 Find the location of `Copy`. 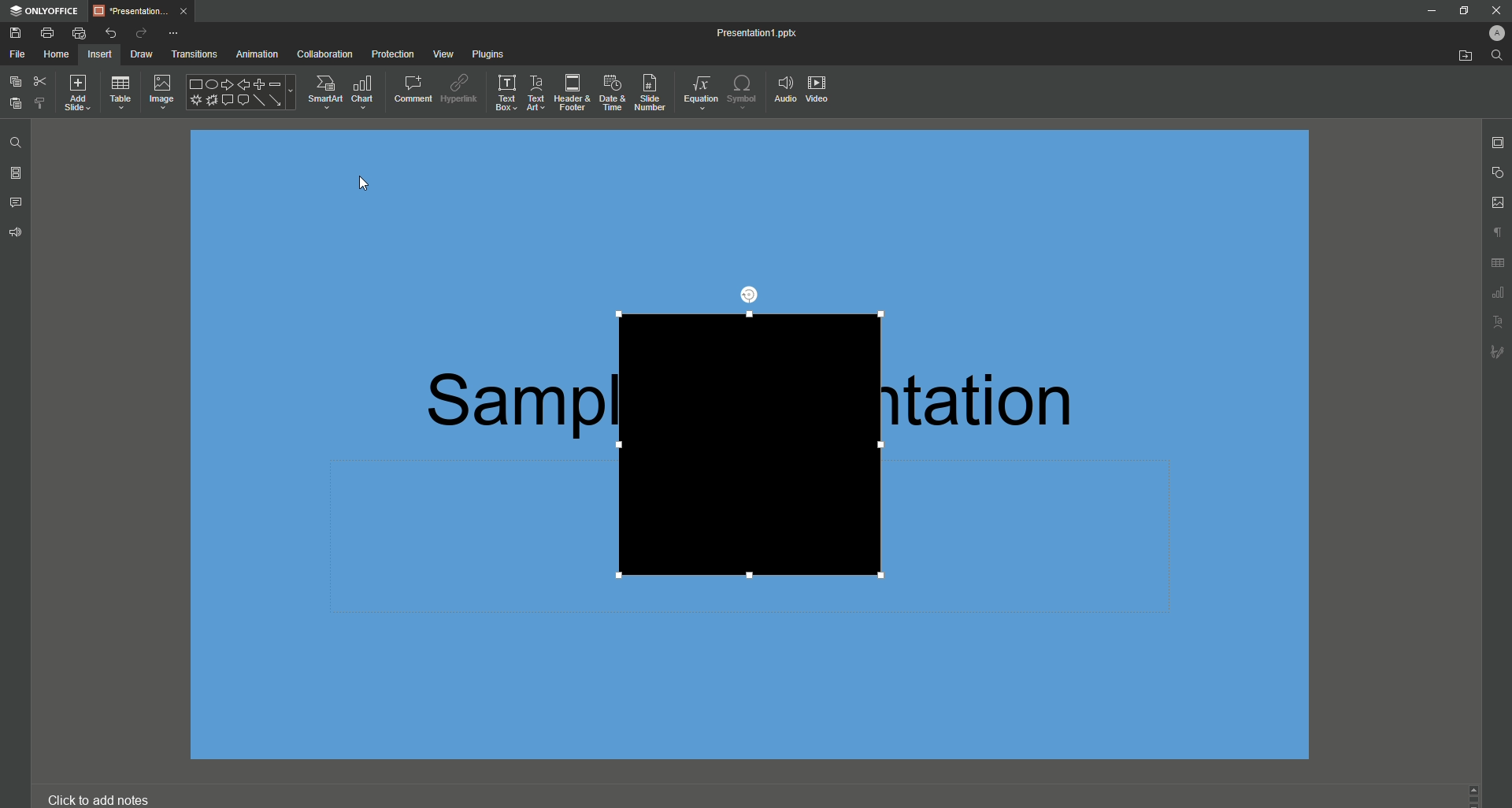

Copy is located at coordinates (13, 80).